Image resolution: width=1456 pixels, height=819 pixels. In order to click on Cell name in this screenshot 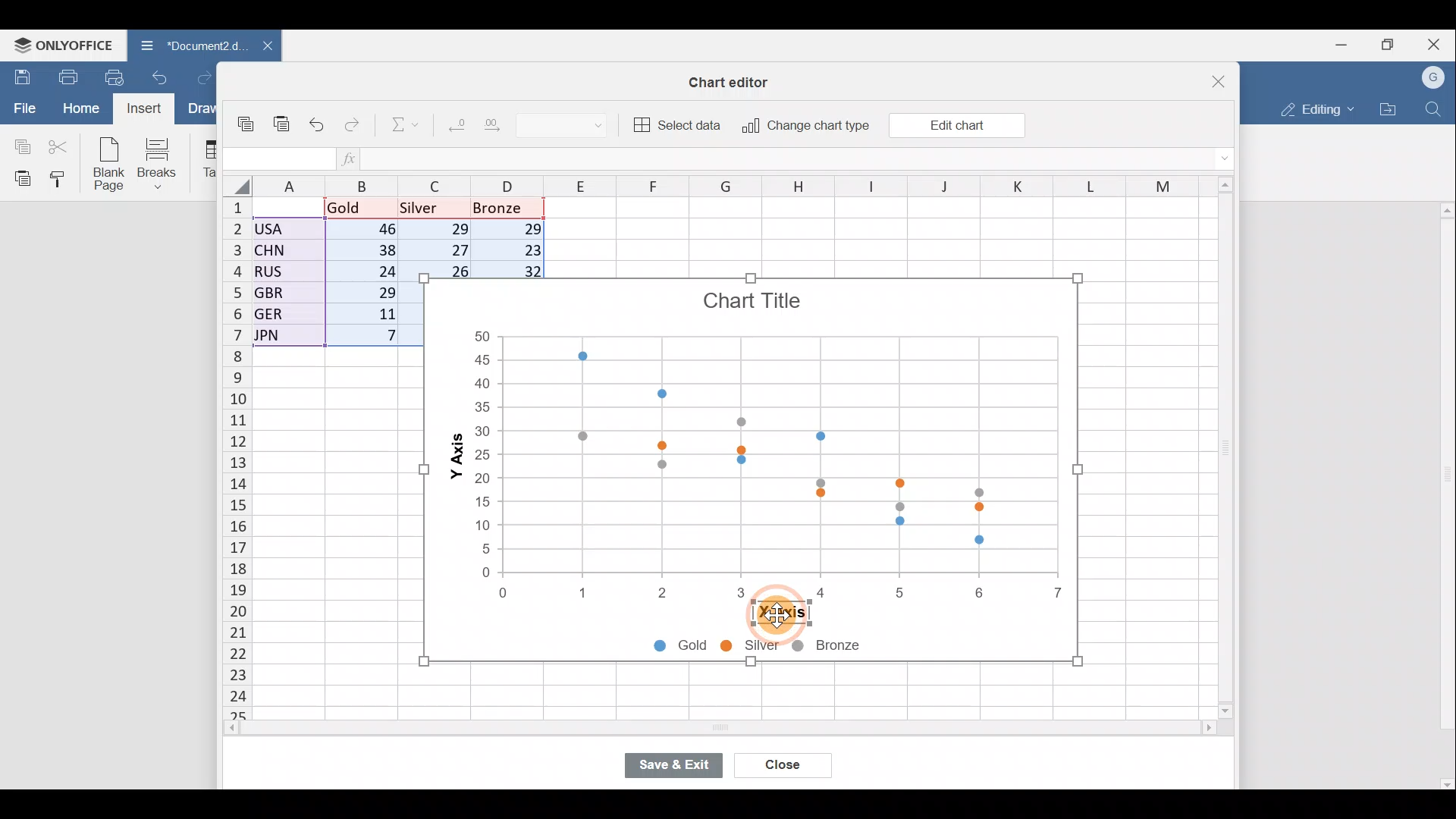, I will do `click(278, 155)`.